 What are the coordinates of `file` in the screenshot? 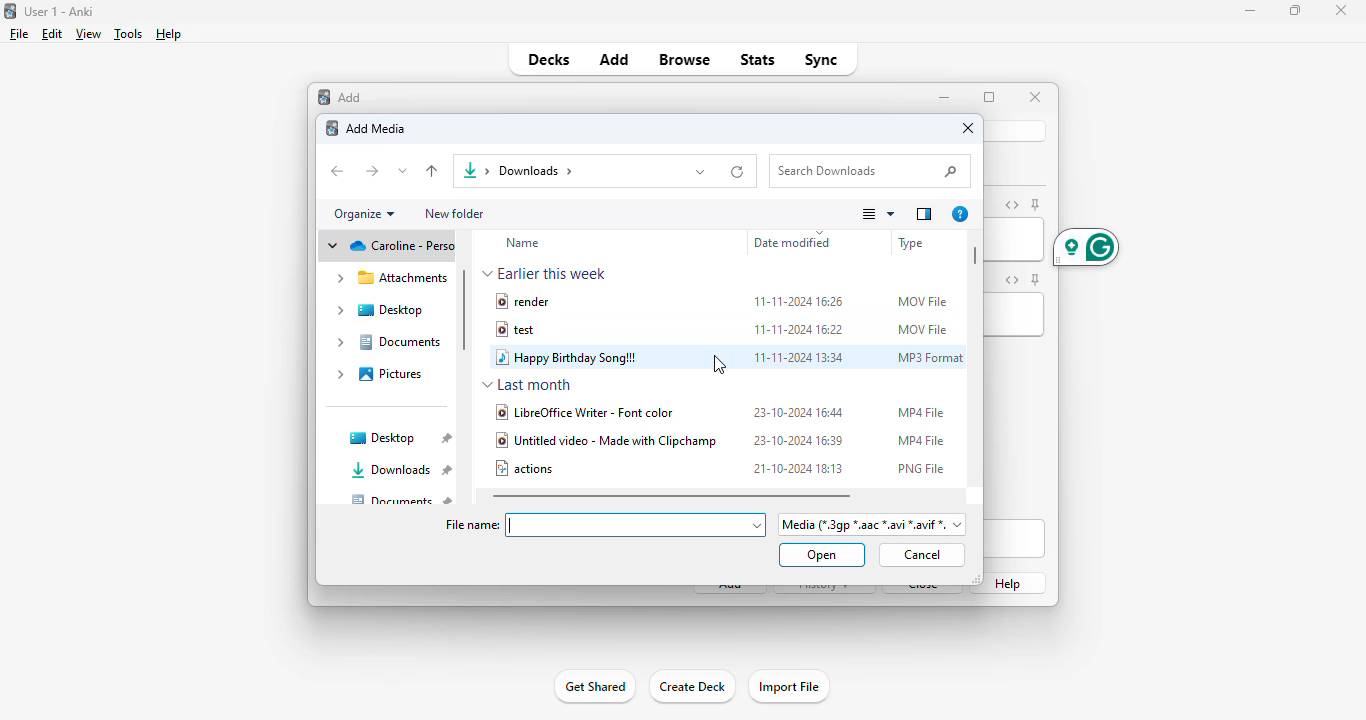 It's located at (19, 34).